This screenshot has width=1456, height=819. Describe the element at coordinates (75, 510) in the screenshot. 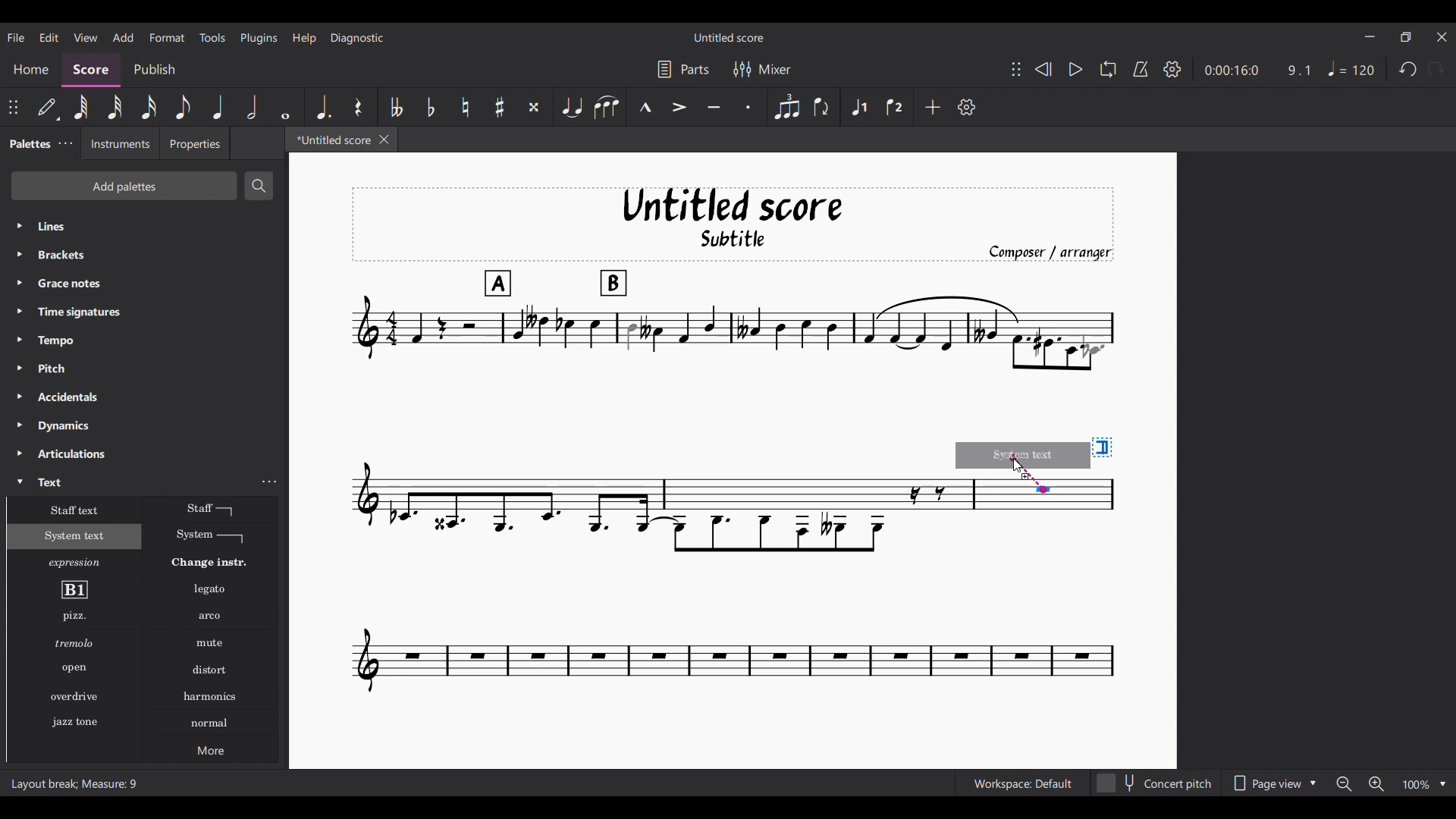

I see `Staff text` at that location.